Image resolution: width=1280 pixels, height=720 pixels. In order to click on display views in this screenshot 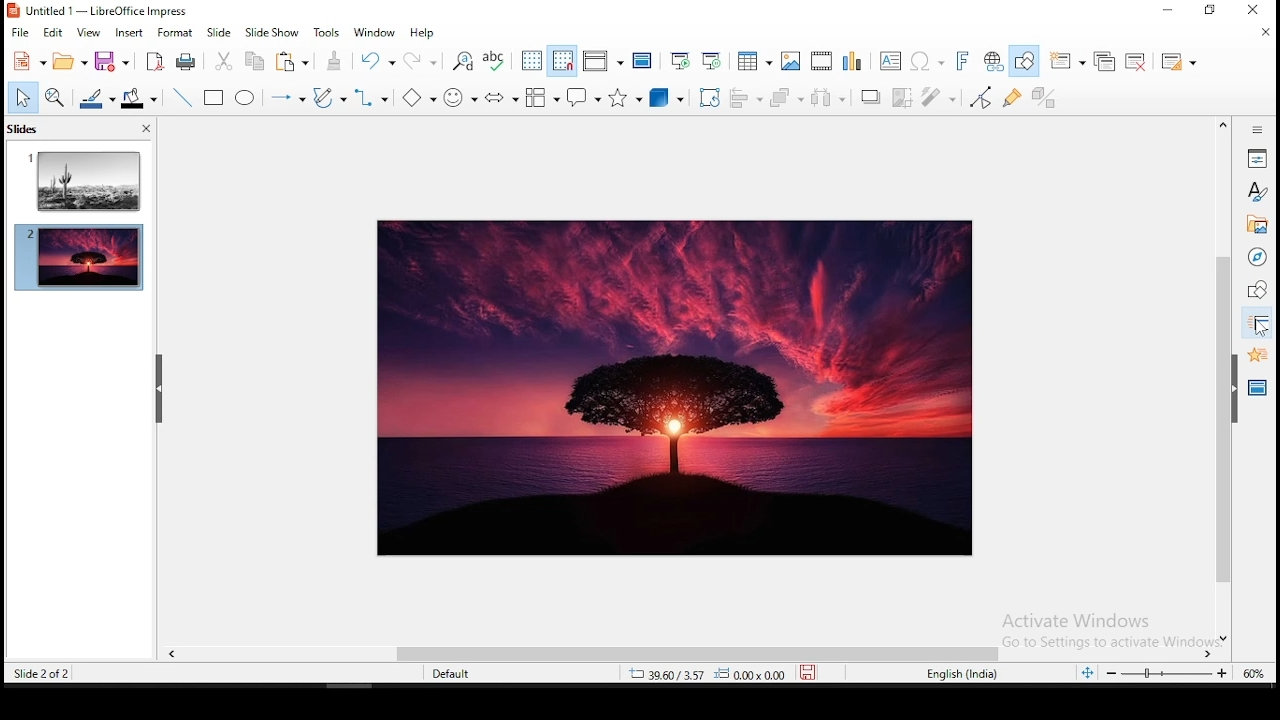, I will do `click(602, 61)`.